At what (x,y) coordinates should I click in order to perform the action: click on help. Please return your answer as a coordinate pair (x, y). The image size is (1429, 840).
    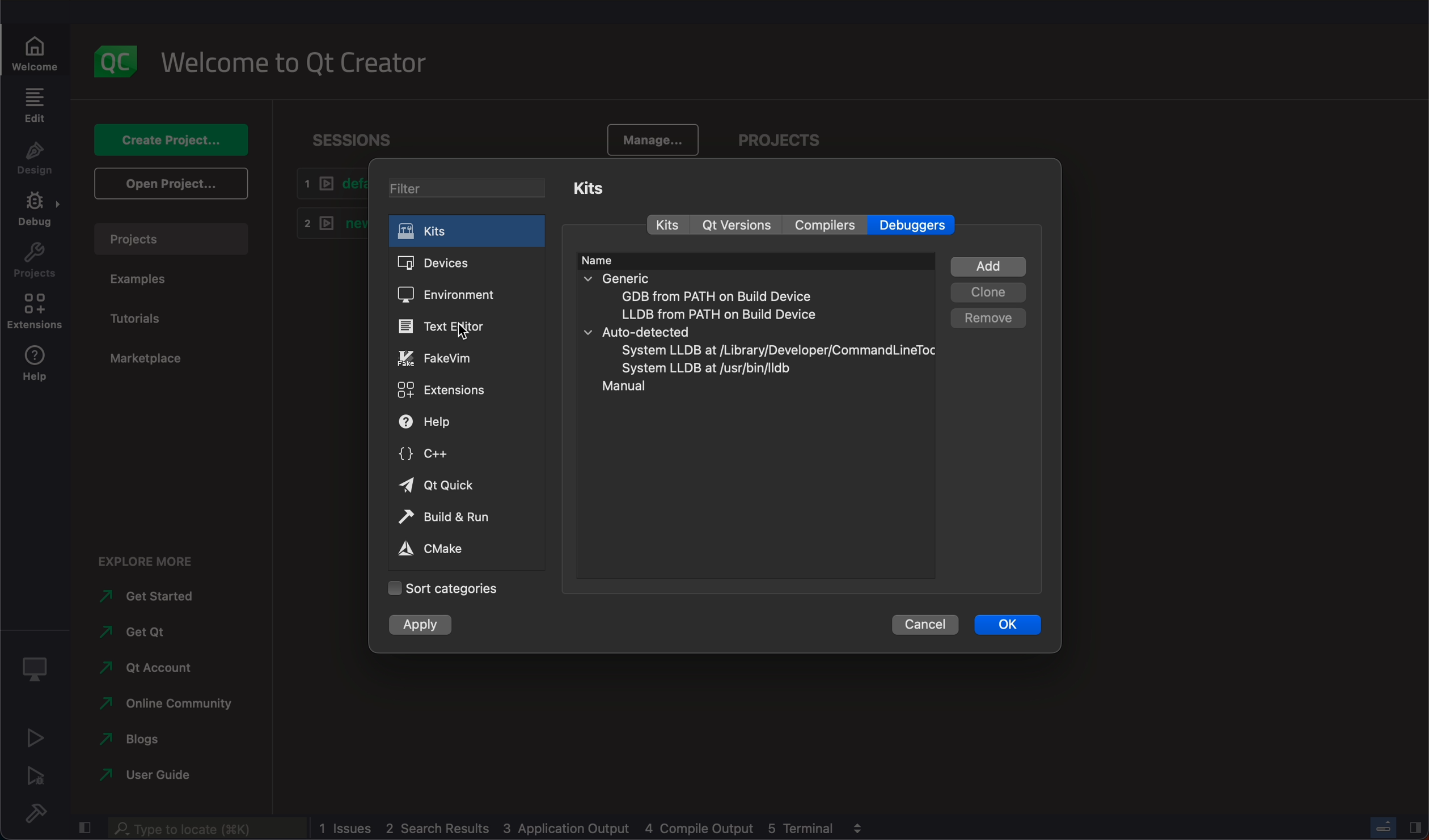
    Looking at the image, I should click on (464, 424).